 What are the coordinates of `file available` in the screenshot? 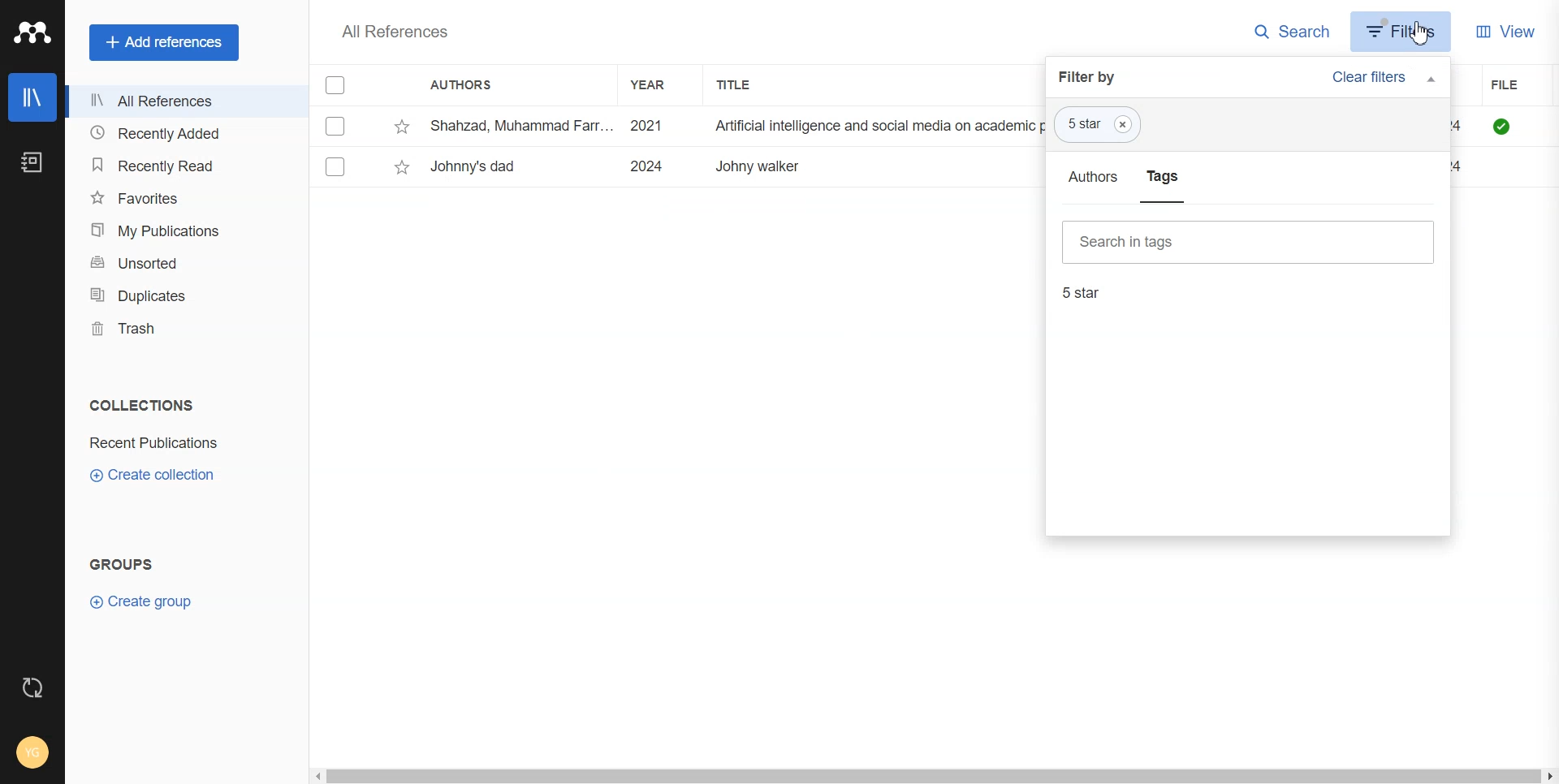 It's located at (1502, 126).